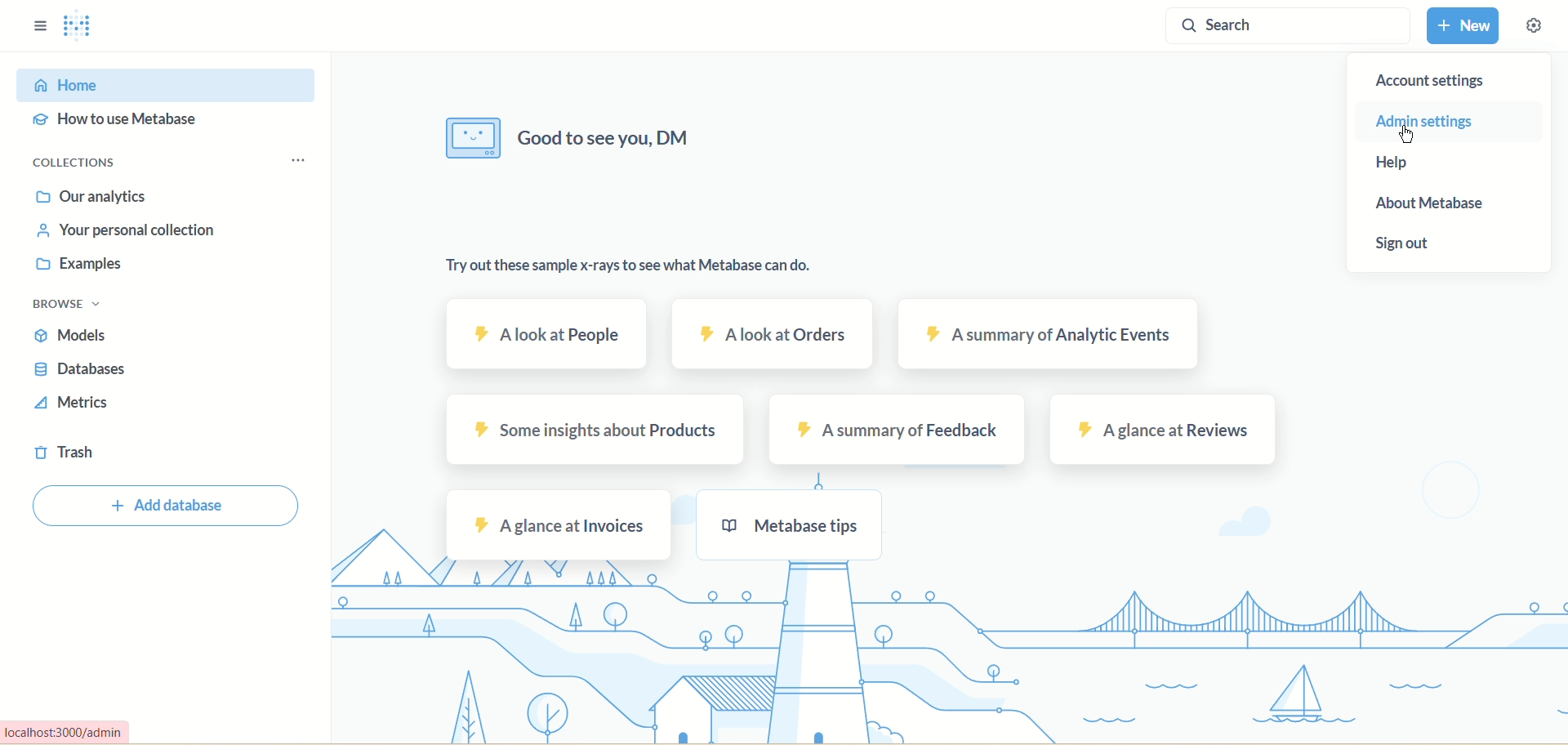 The width and height of the screenshot is (1568, 745). Describe the element at coordinates (1464, 25) in the screenshot. I see `new` at that location.